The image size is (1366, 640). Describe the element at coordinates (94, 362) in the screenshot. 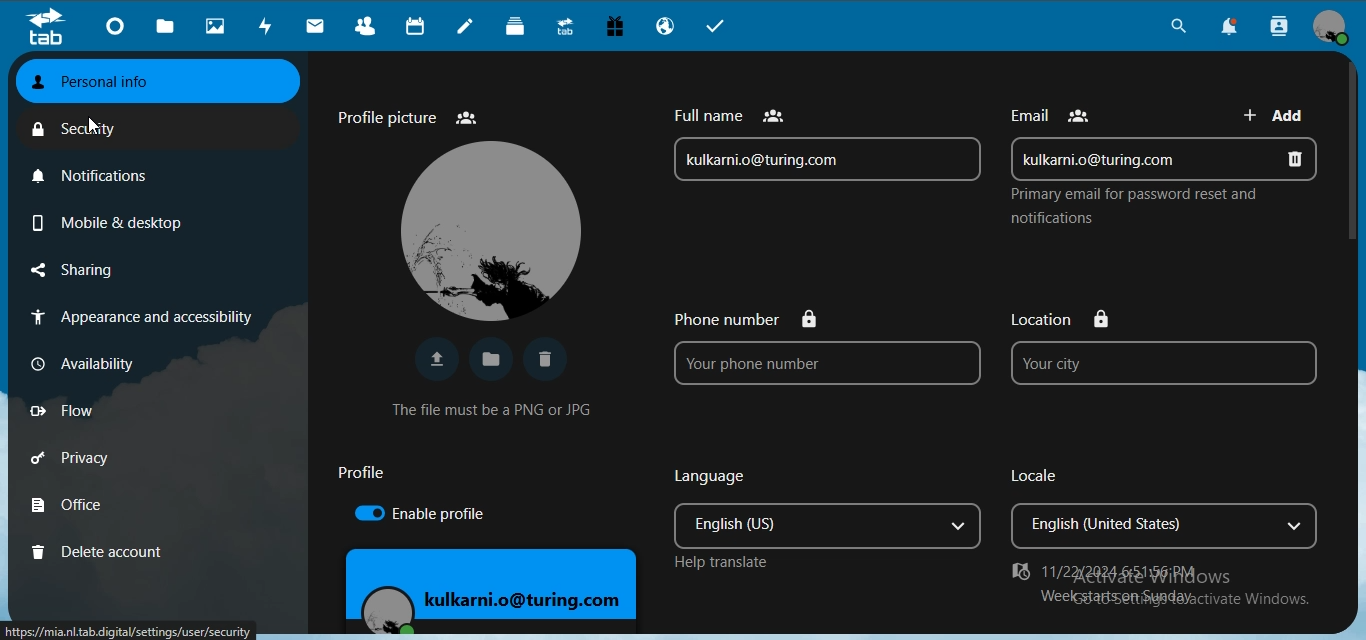

I see `availability` at that location.